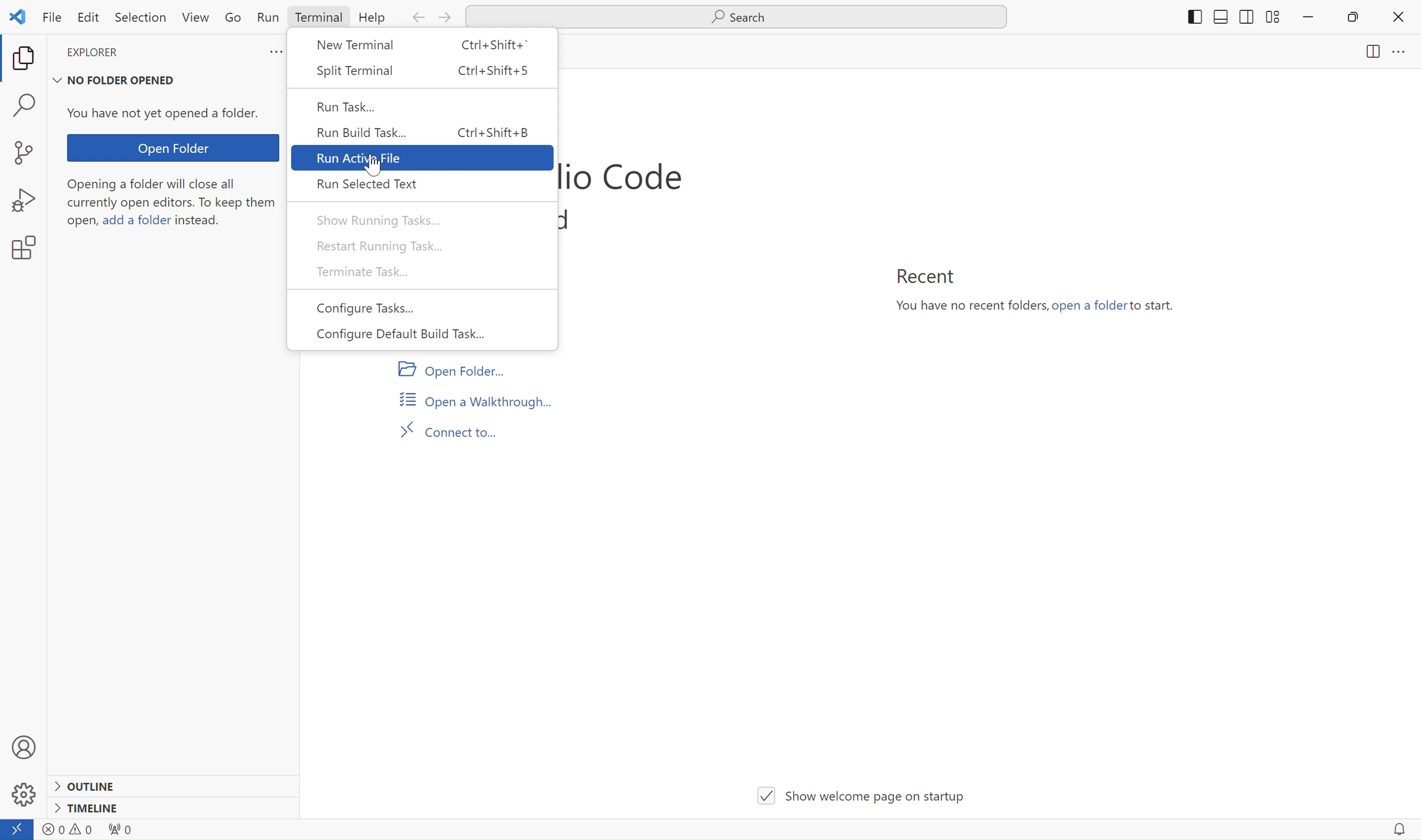  I want to click on Recent, so click(928, 276).